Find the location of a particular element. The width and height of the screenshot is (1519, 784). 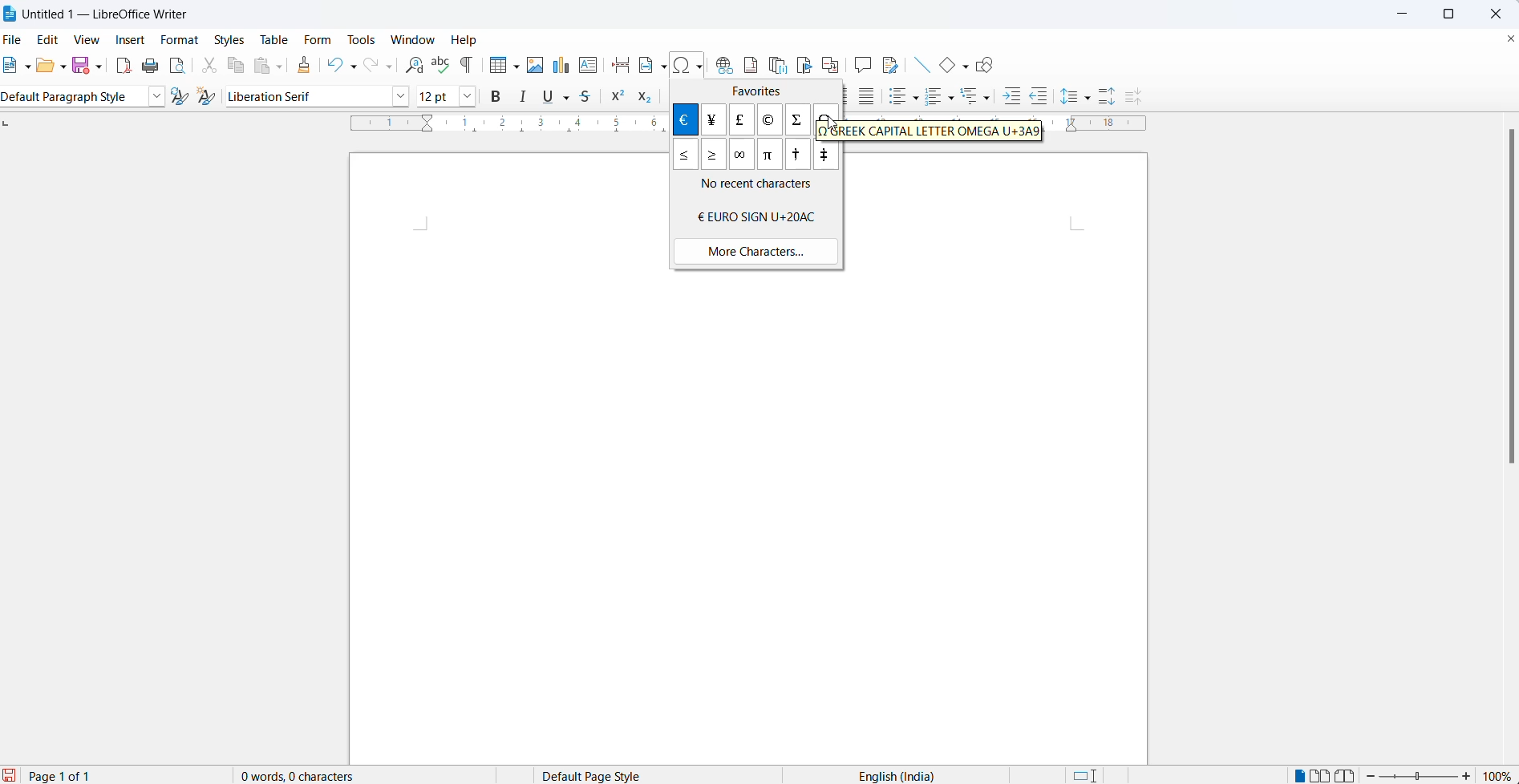

format is located at coordinates (180, 40).